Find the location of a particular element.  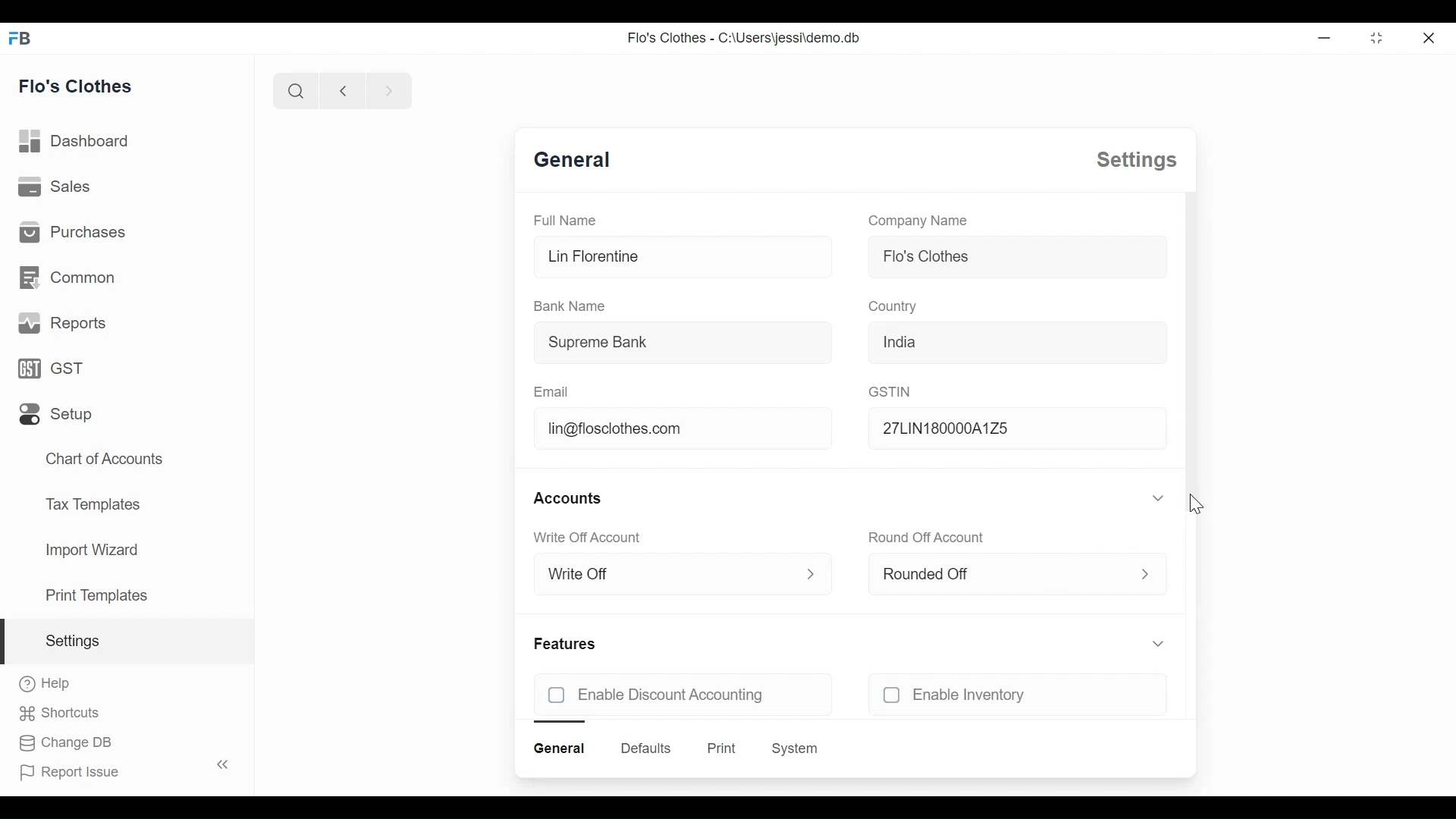

Setup is located at coordinates (58, 414).